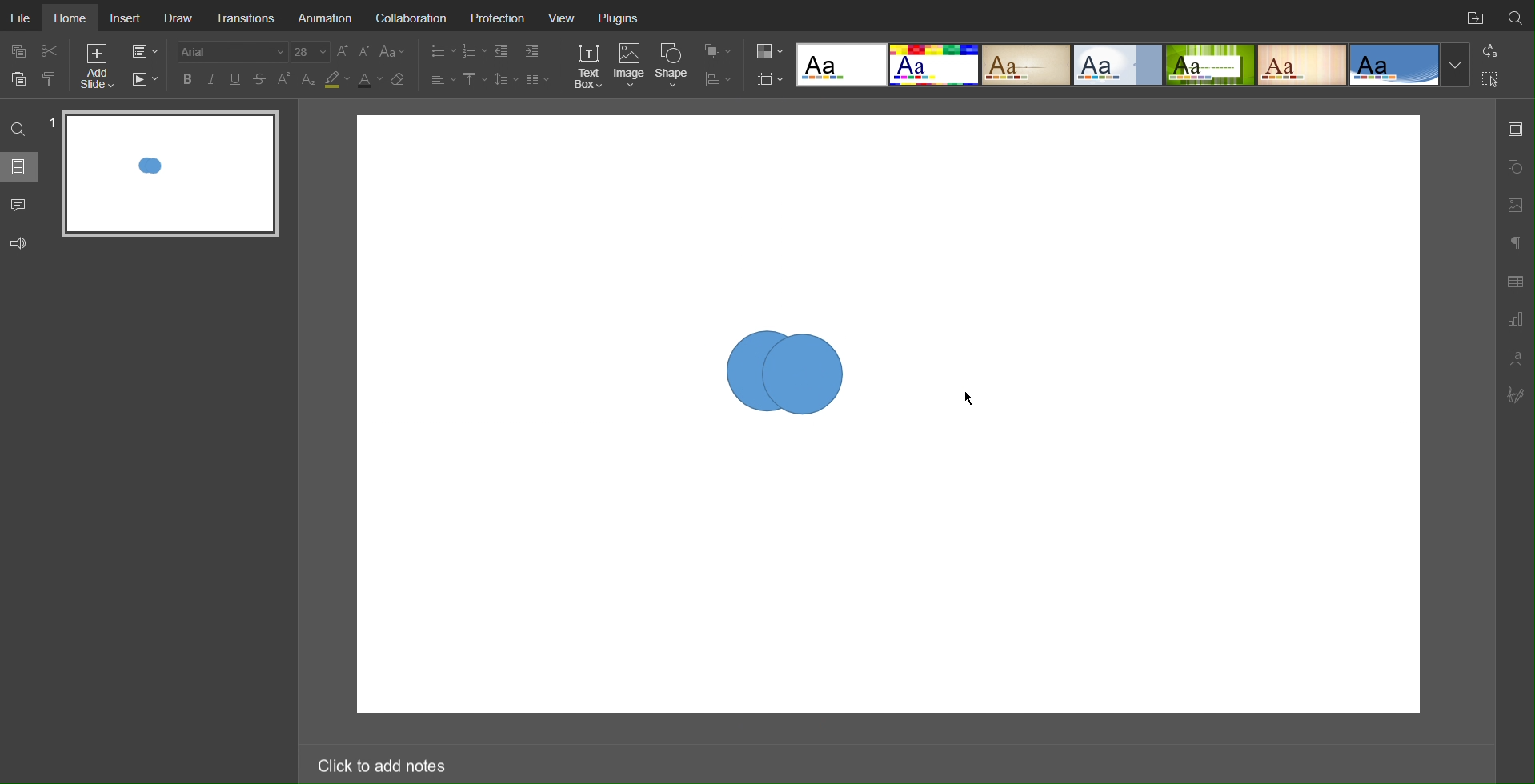 This screenshot has width=1535, height=784. What do you see at coordinates (1514, 203) in the screenshot?
I see `Image Settings` at bounding box center [1514, 203].